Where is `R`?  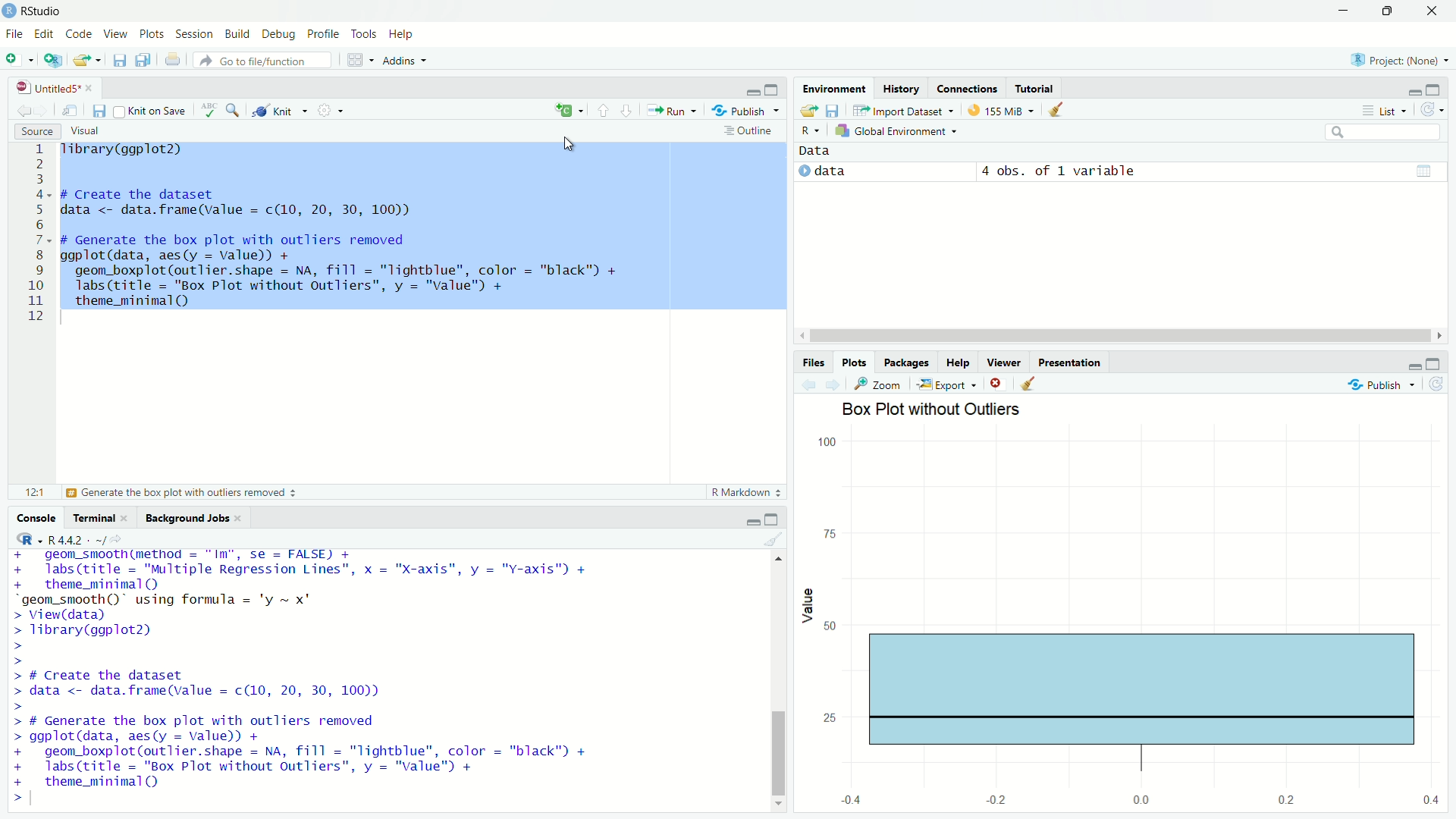
R is located at coordinates (807, 128).